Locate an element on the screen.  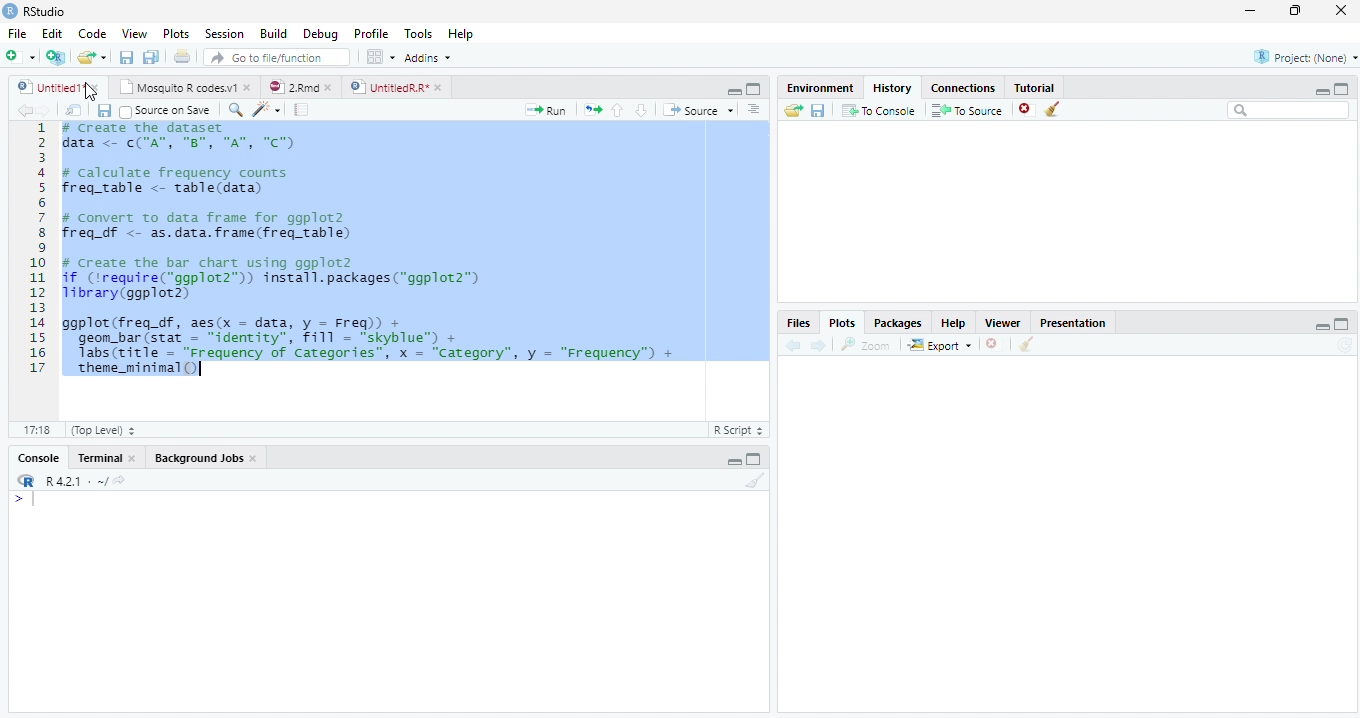
Presentation is located at coordinates (1073, 322).